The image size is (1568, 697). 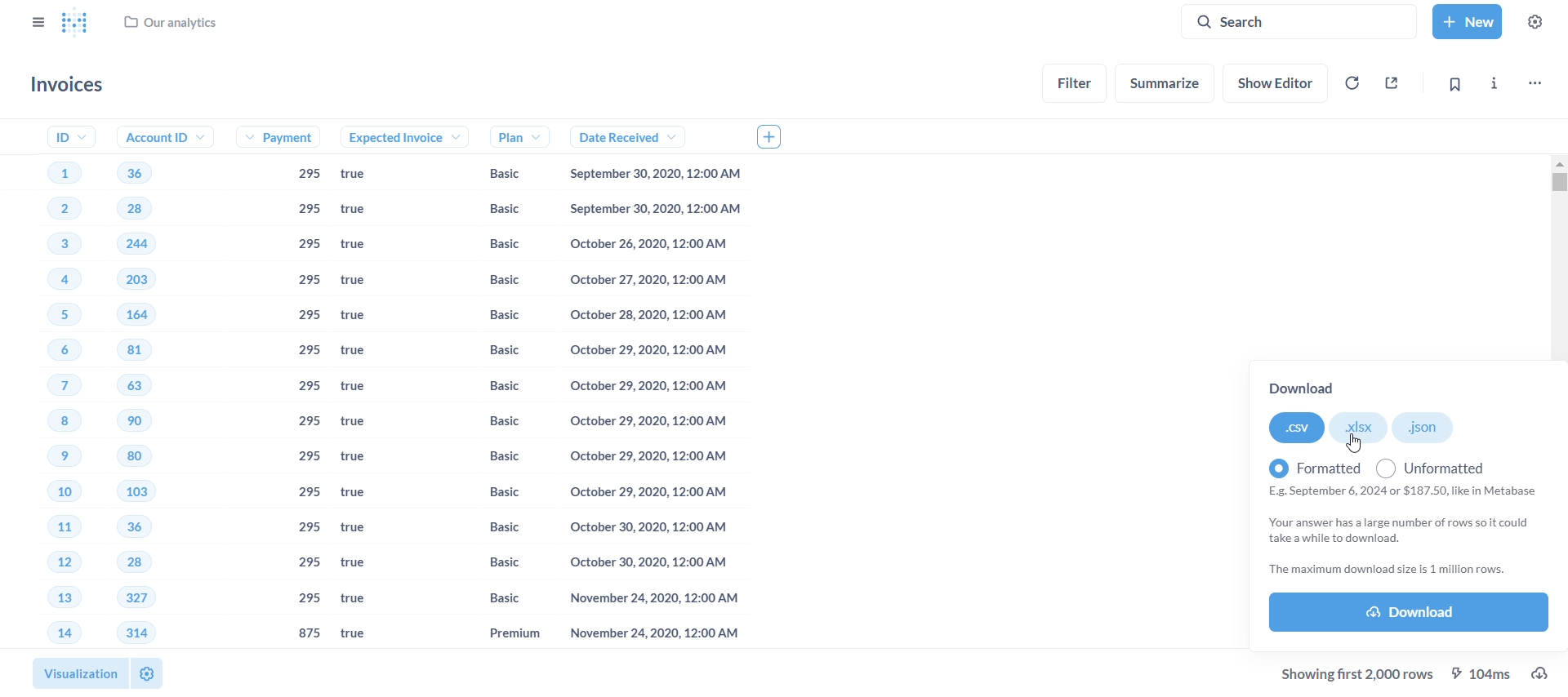 What do you see at coordinates (45, 562) in the screenshot?
I see `12` at bounding box center [45, 562].